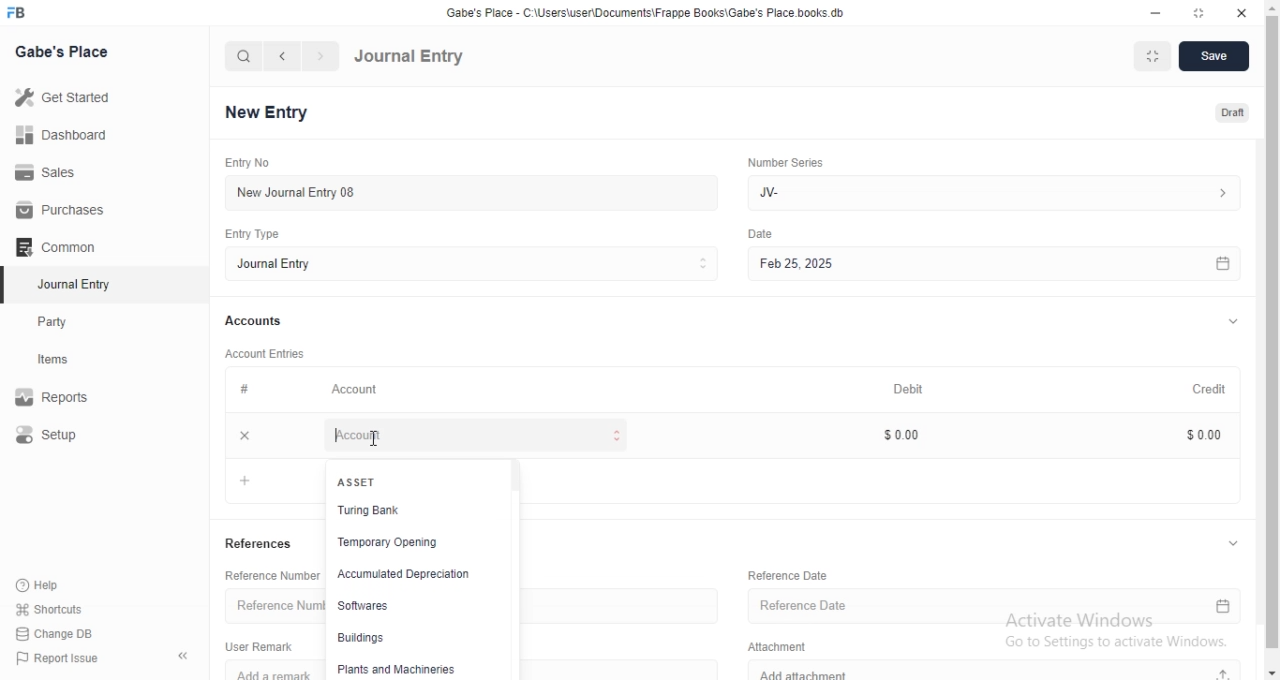 The image size is (1280, 680). What do you see at coordinates (417, 575) in the screenshot?
I see `Accumuiated Depreciation` at bounding box center [417, 575].